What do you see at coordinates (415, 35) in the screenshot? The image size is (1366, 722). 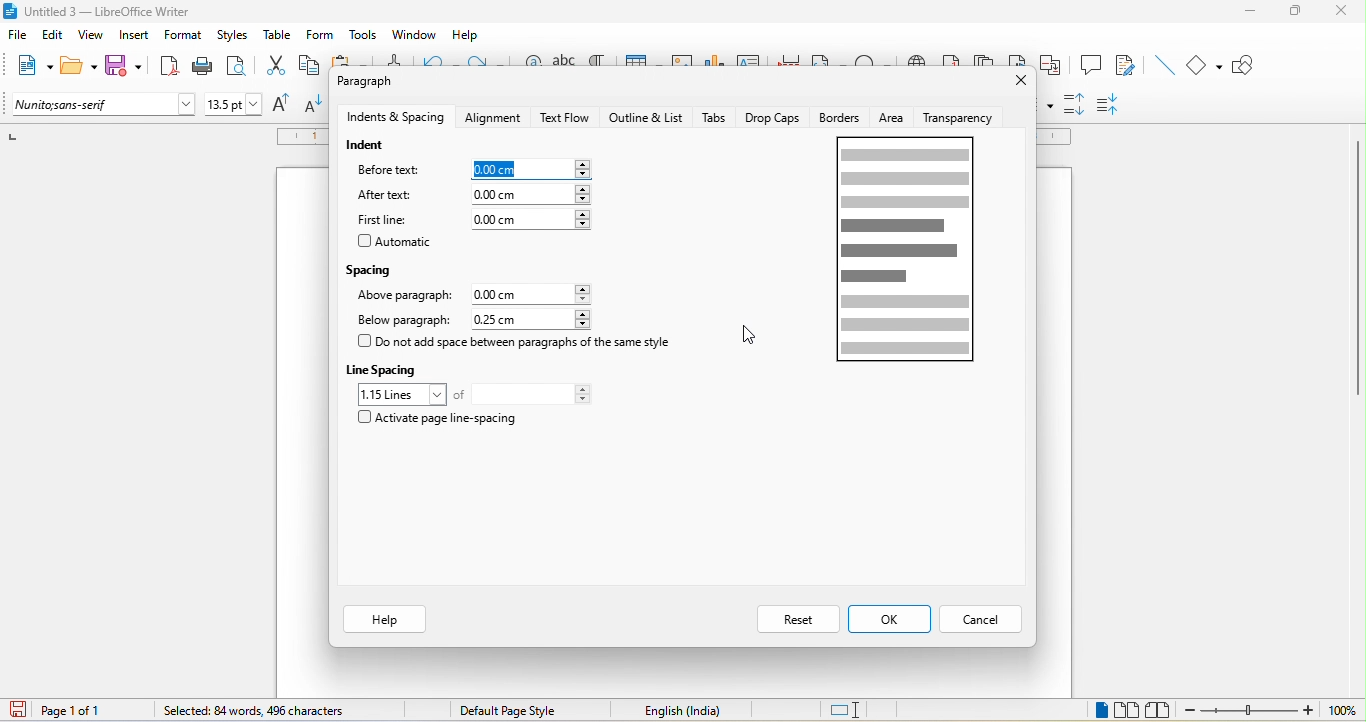 I see `window` at bounding box center [415, 35].